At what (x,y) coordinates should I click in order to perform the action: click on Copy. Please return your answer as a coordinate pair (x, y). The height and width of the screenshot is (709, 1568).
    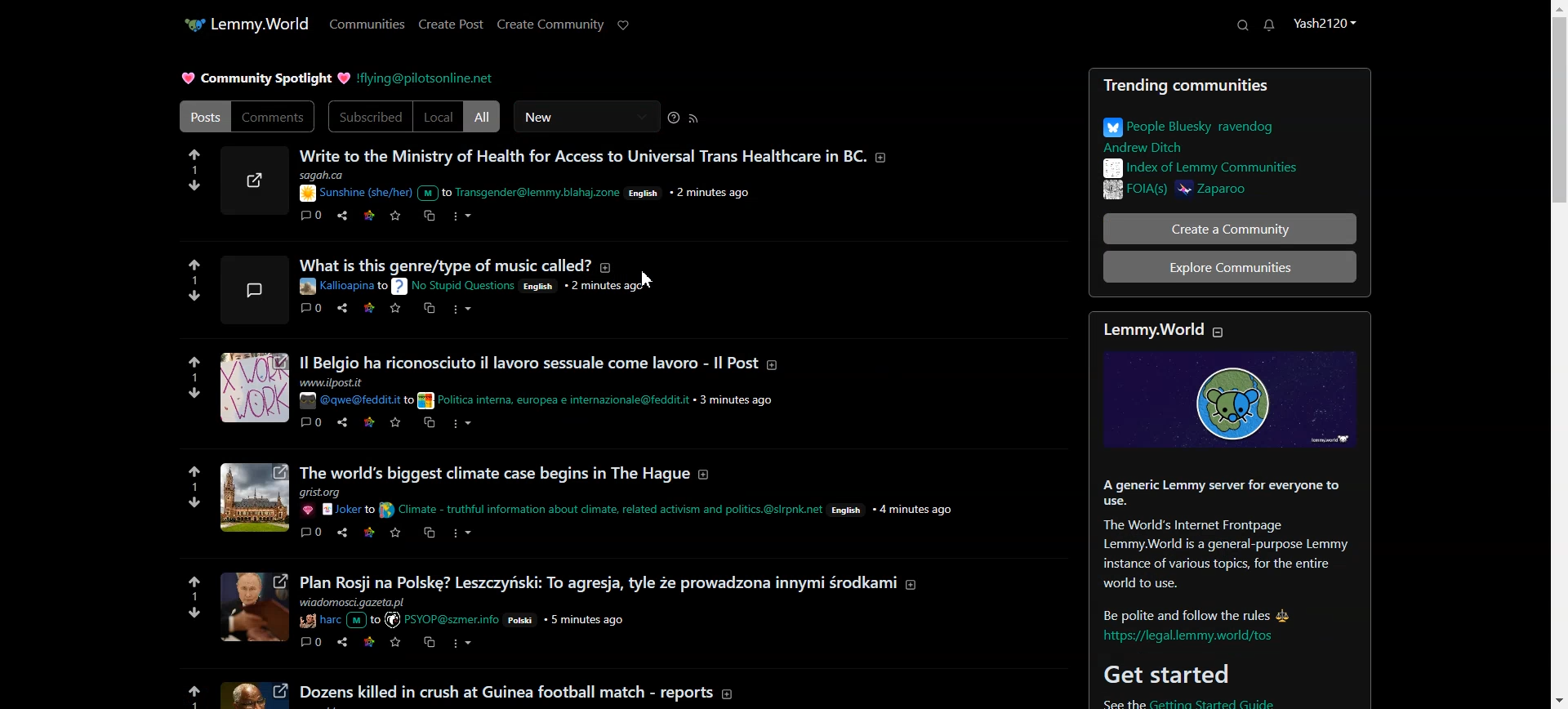
    Looking at the image, I should click on (428, 216).